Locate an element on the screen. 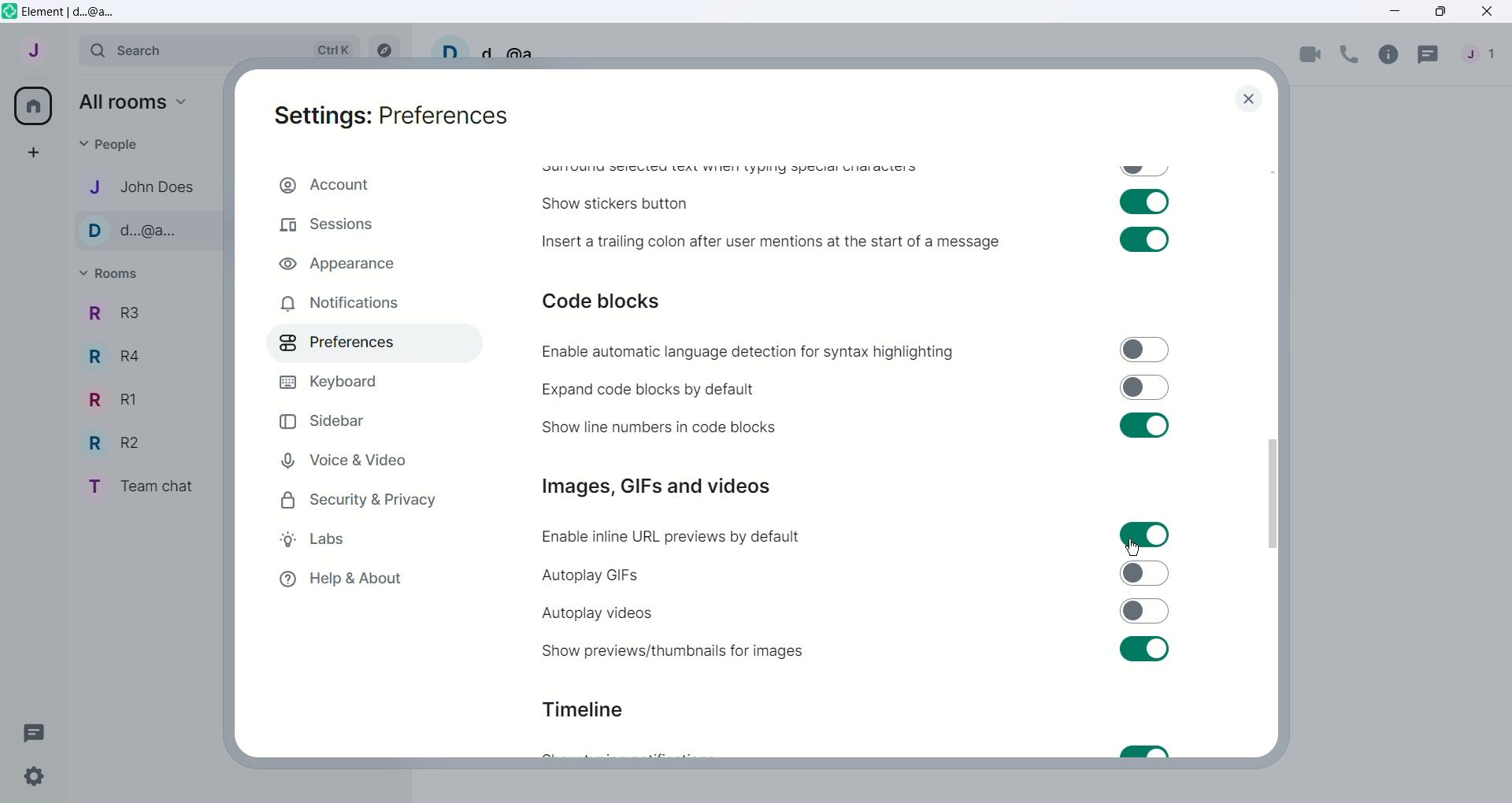 Image resolution: width=1512 pixels, height=803 pixels. Toggle swtich on for show stickers button is located at coordinates (1143, 202).